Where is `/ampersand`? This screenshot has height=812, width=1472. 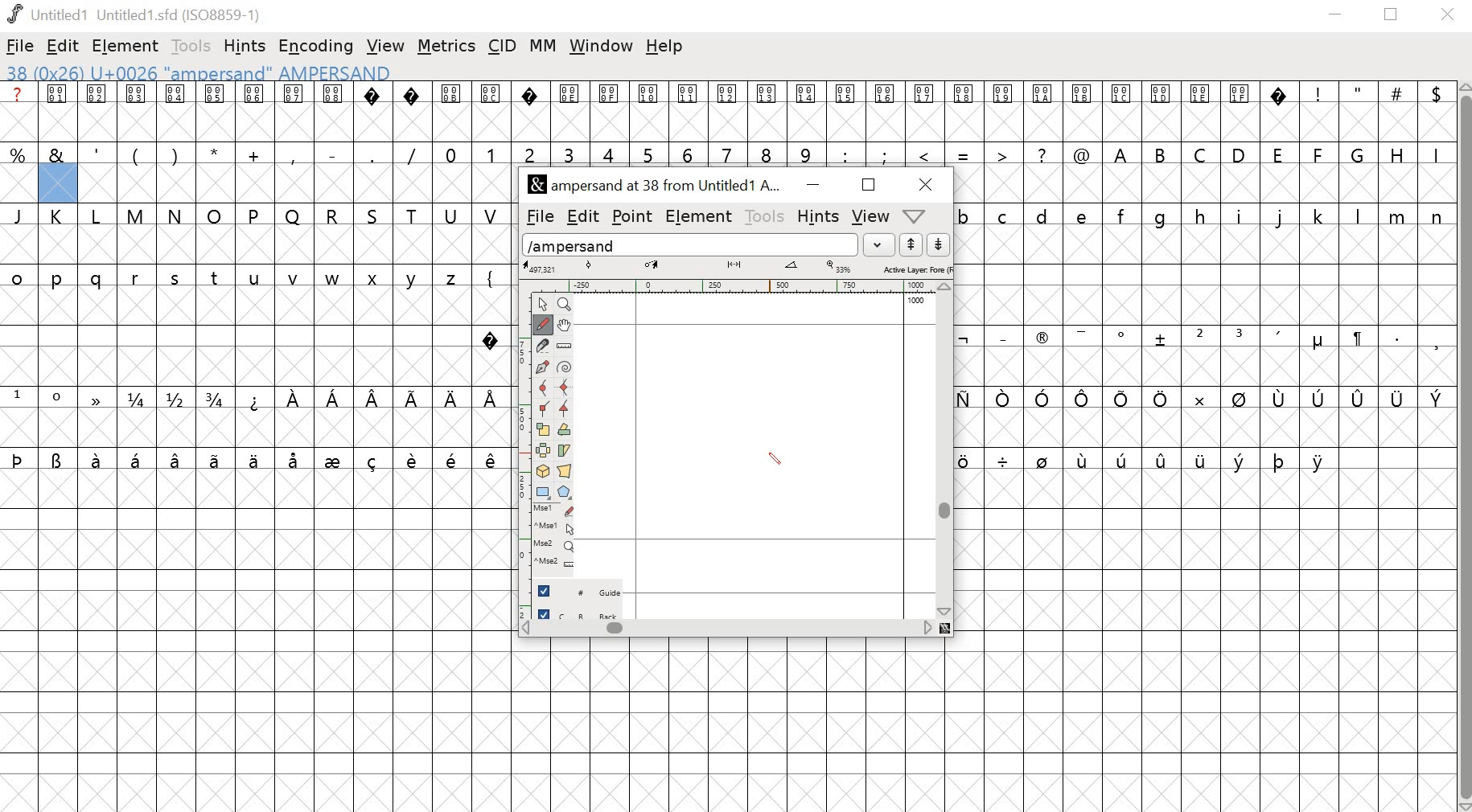
/ampersand is located at coordinates (691, 243).